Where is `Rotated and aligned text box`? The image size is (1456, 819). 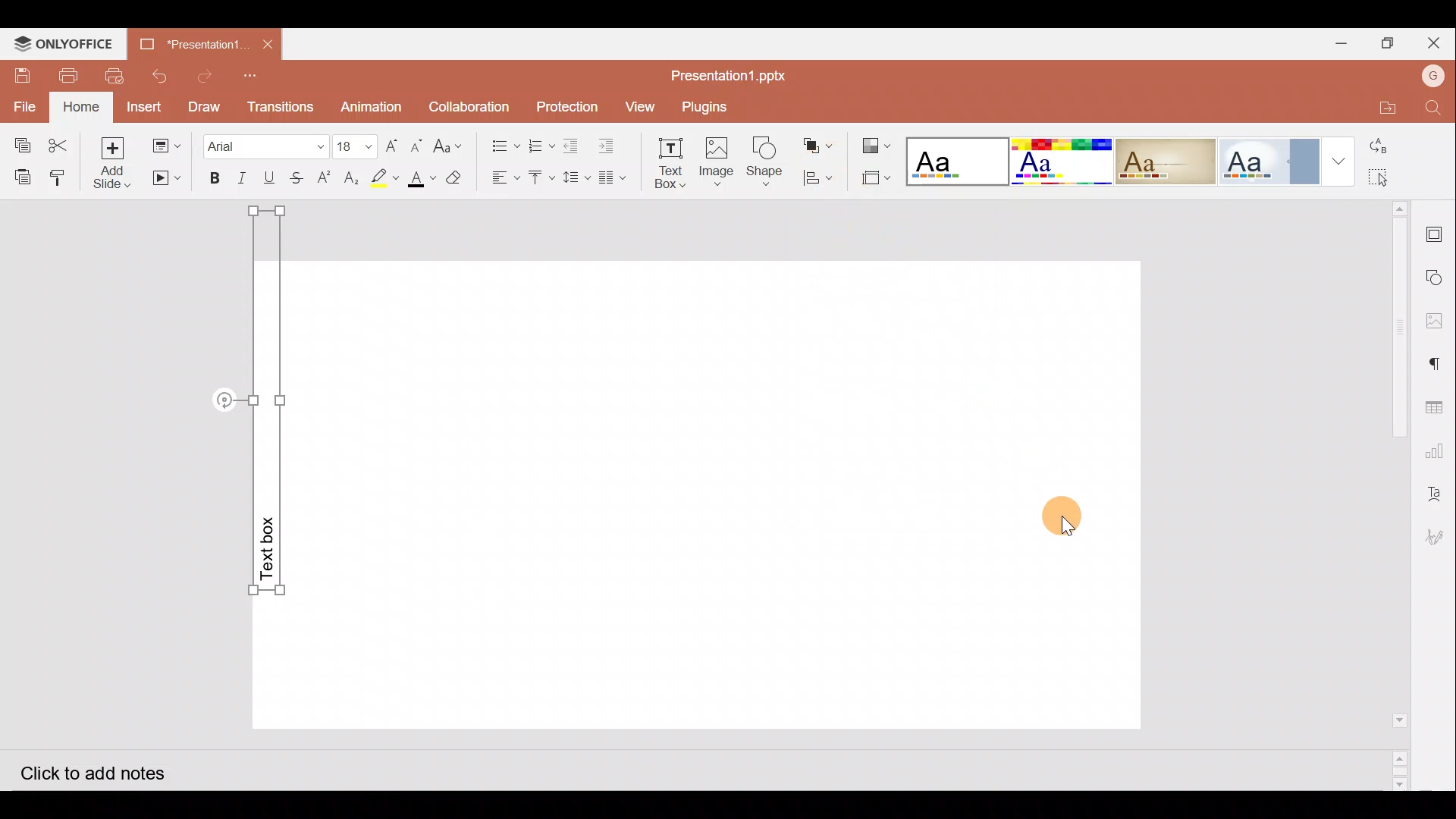 Rotated and aligned text box is located at coordinates (278, 412).